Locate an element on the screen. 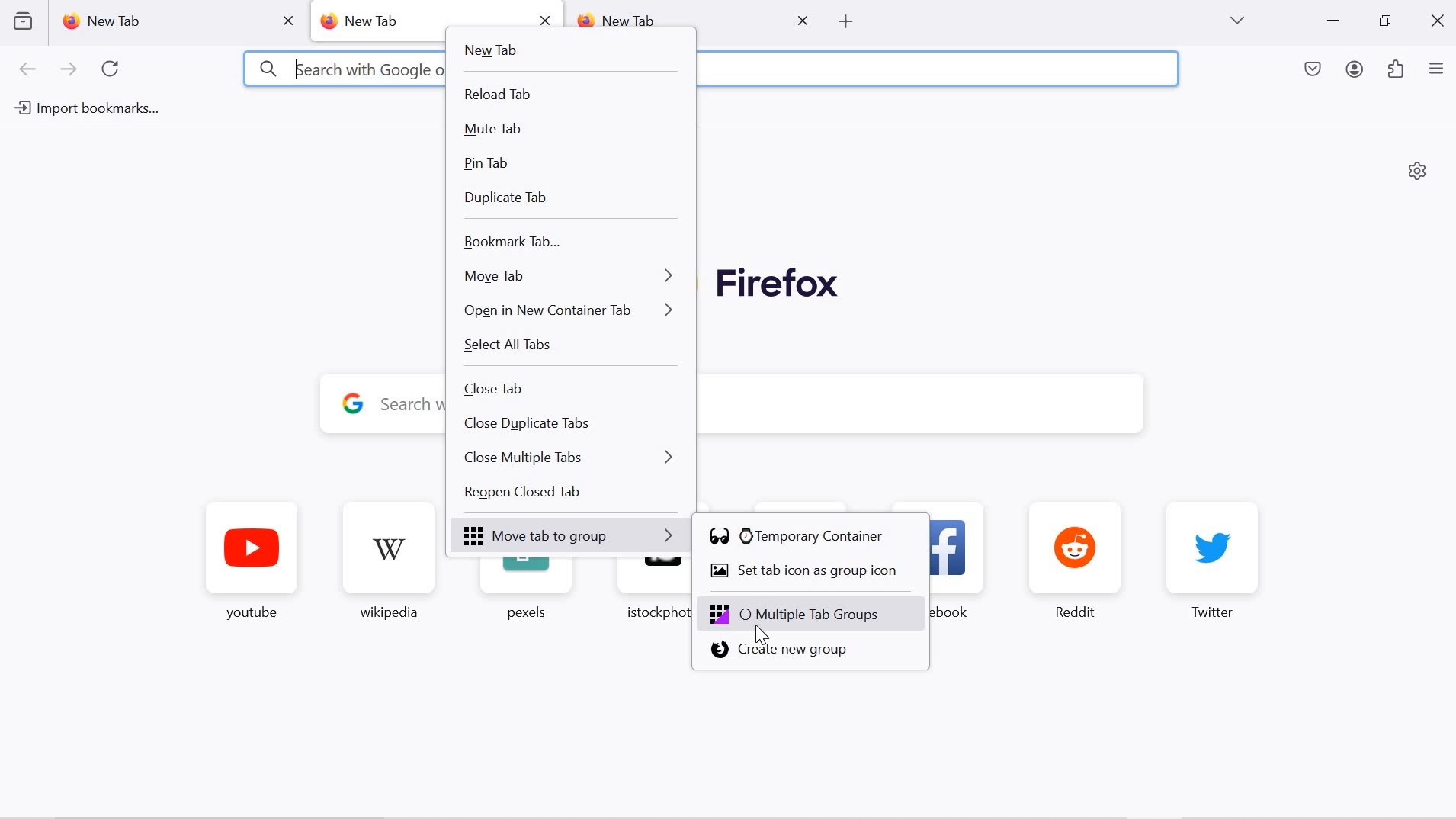 This screenshot has height=819, width=1456. wikipedia is located at coordinates (390, 562).